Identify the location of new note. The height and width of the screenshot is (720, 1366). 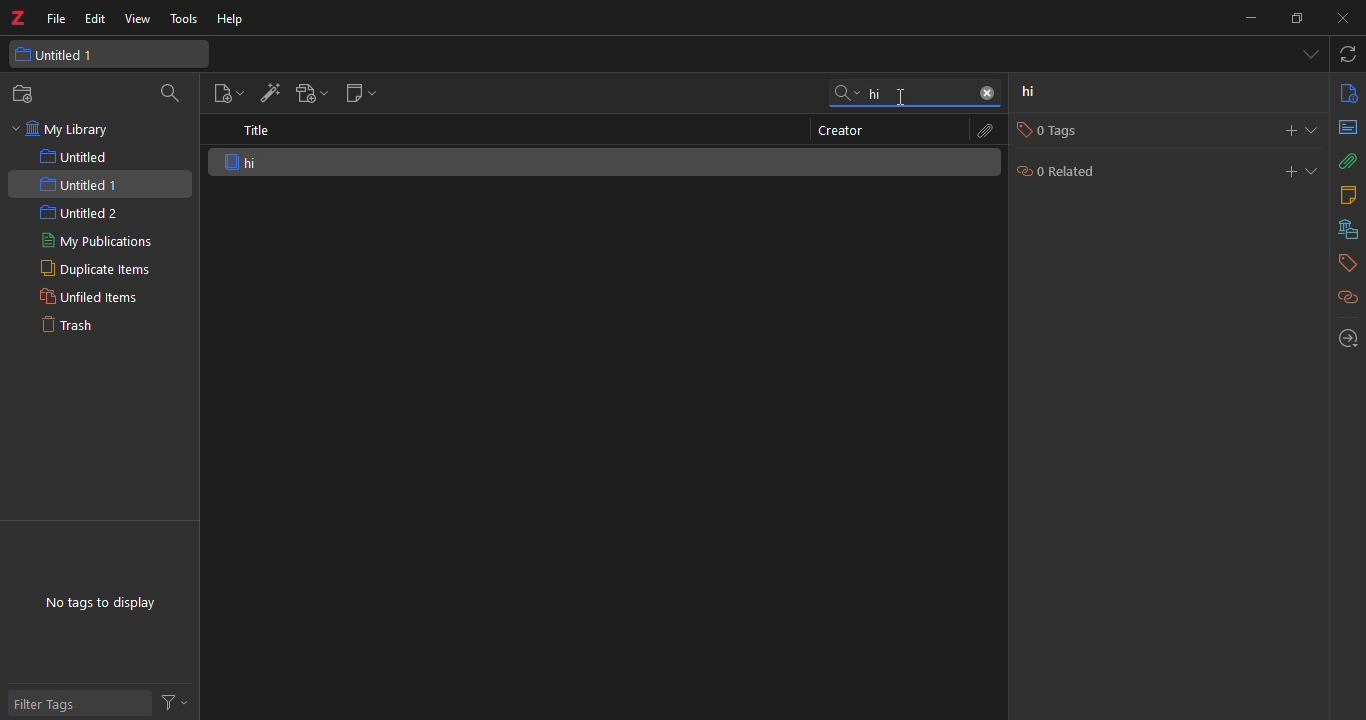
(360, 93).